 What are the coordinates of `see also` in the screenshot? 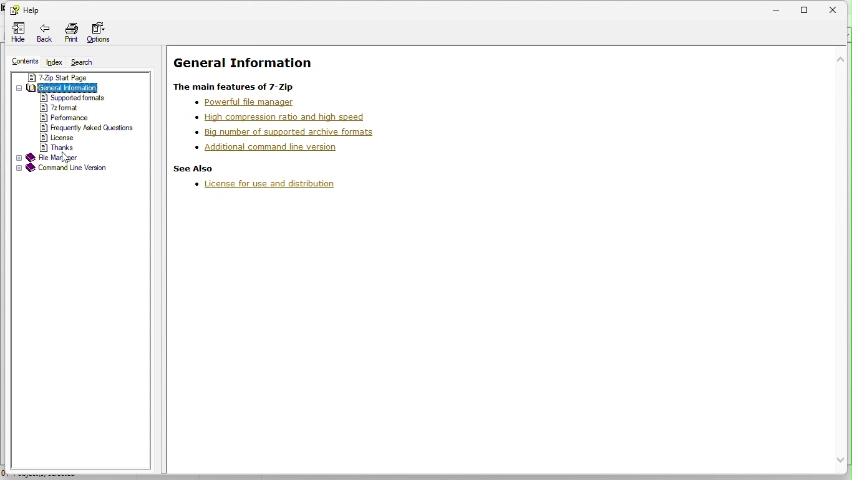 It's located at (196, 169).